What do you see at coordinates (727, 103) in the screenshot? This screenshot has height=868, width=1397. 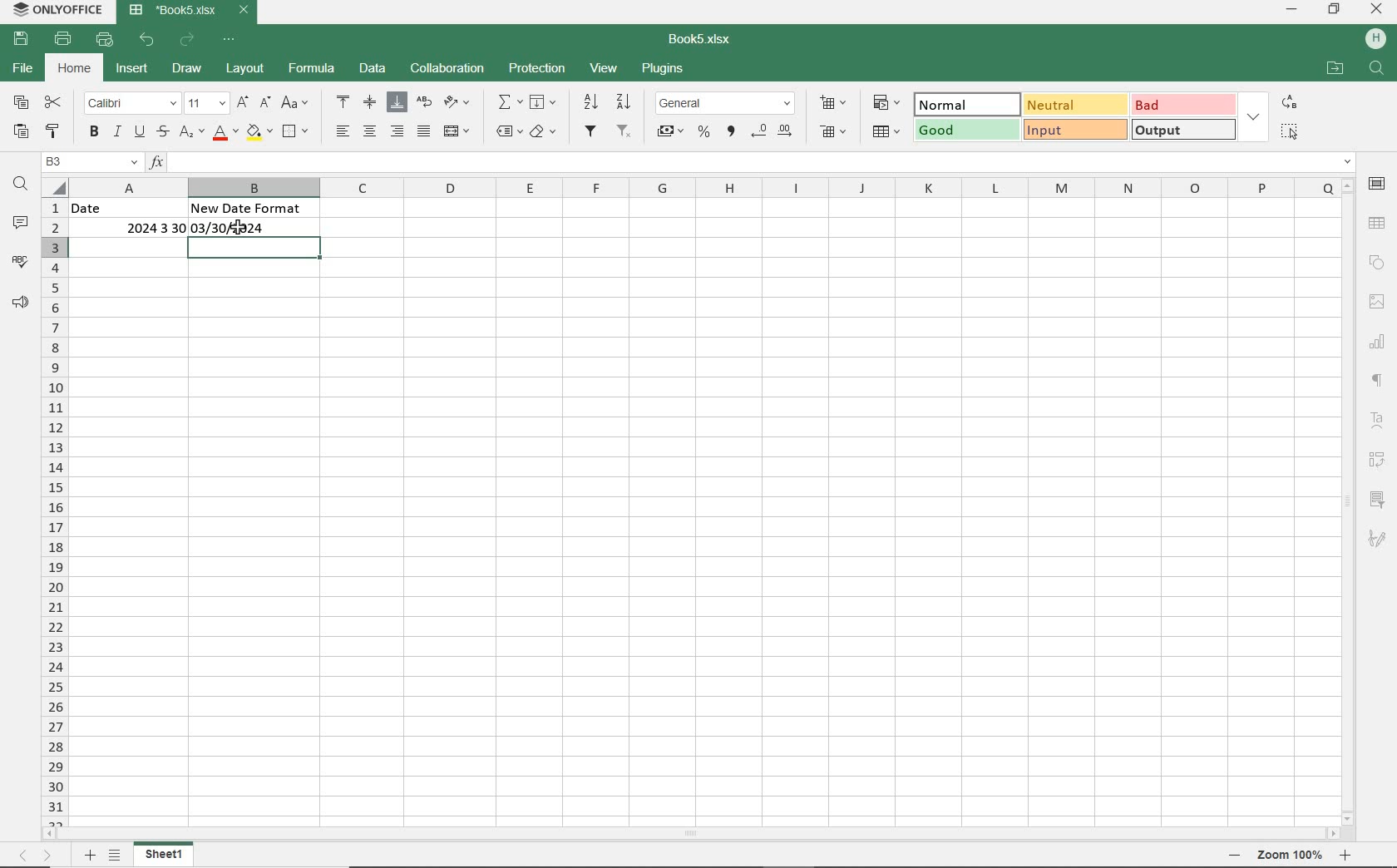 I see `NUMBER FORMAT` at bounding box center [727, 103].